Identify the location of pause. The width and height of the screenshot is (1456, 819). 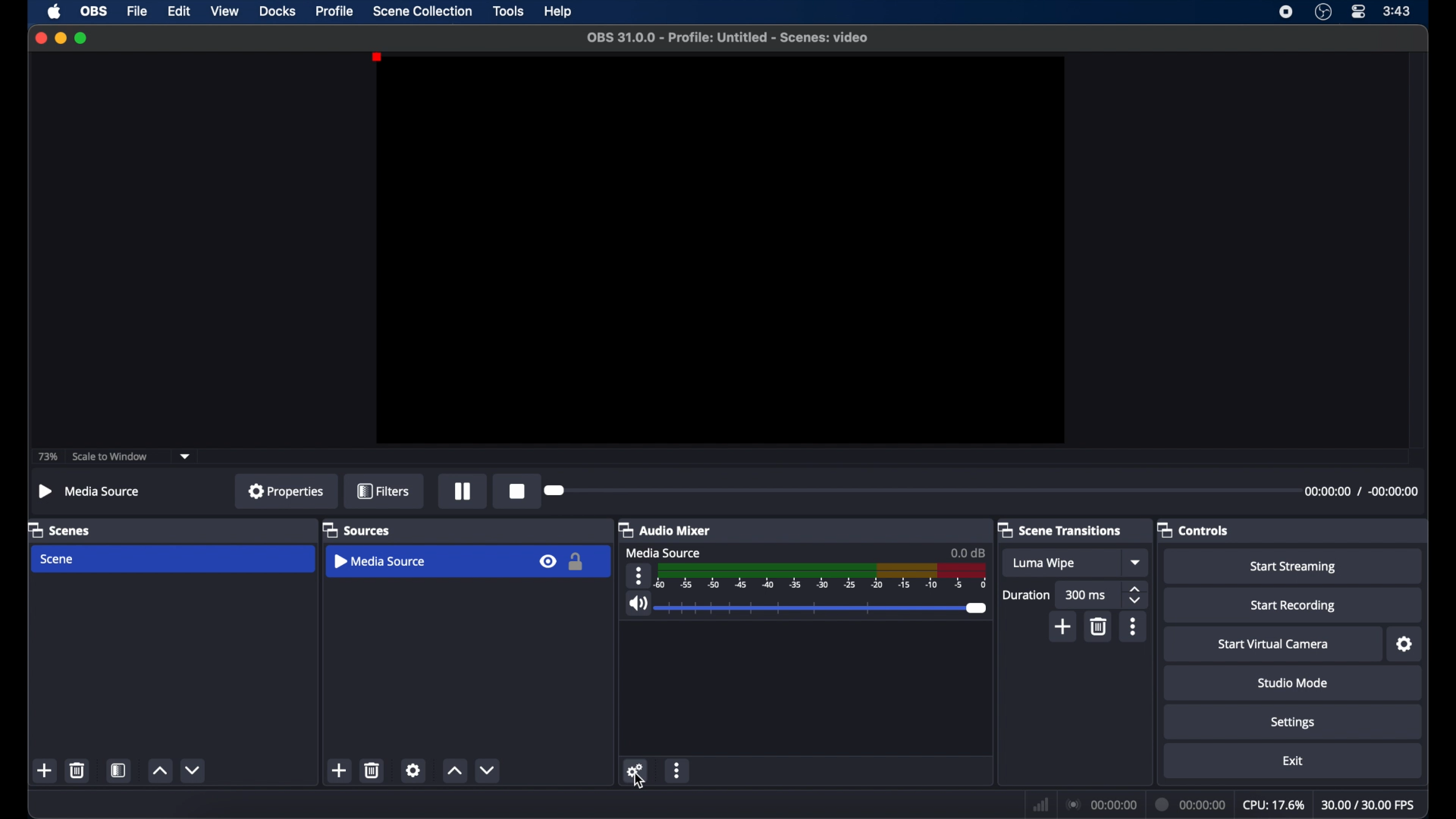
(463, 491).